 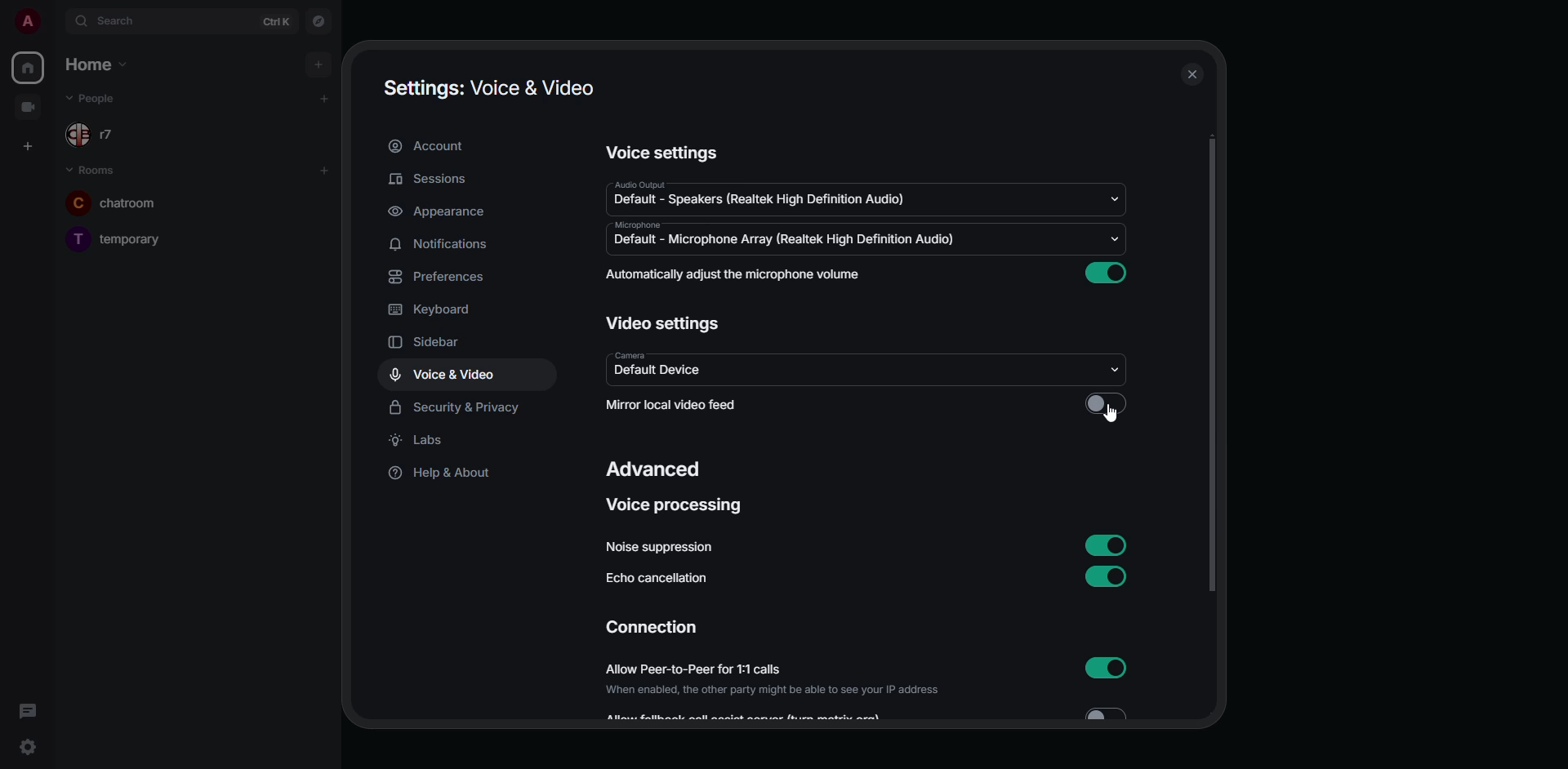 What do you see at coordinates (100, 135) in the screenshot?
I see `r7` at bounding box center [100, 135].